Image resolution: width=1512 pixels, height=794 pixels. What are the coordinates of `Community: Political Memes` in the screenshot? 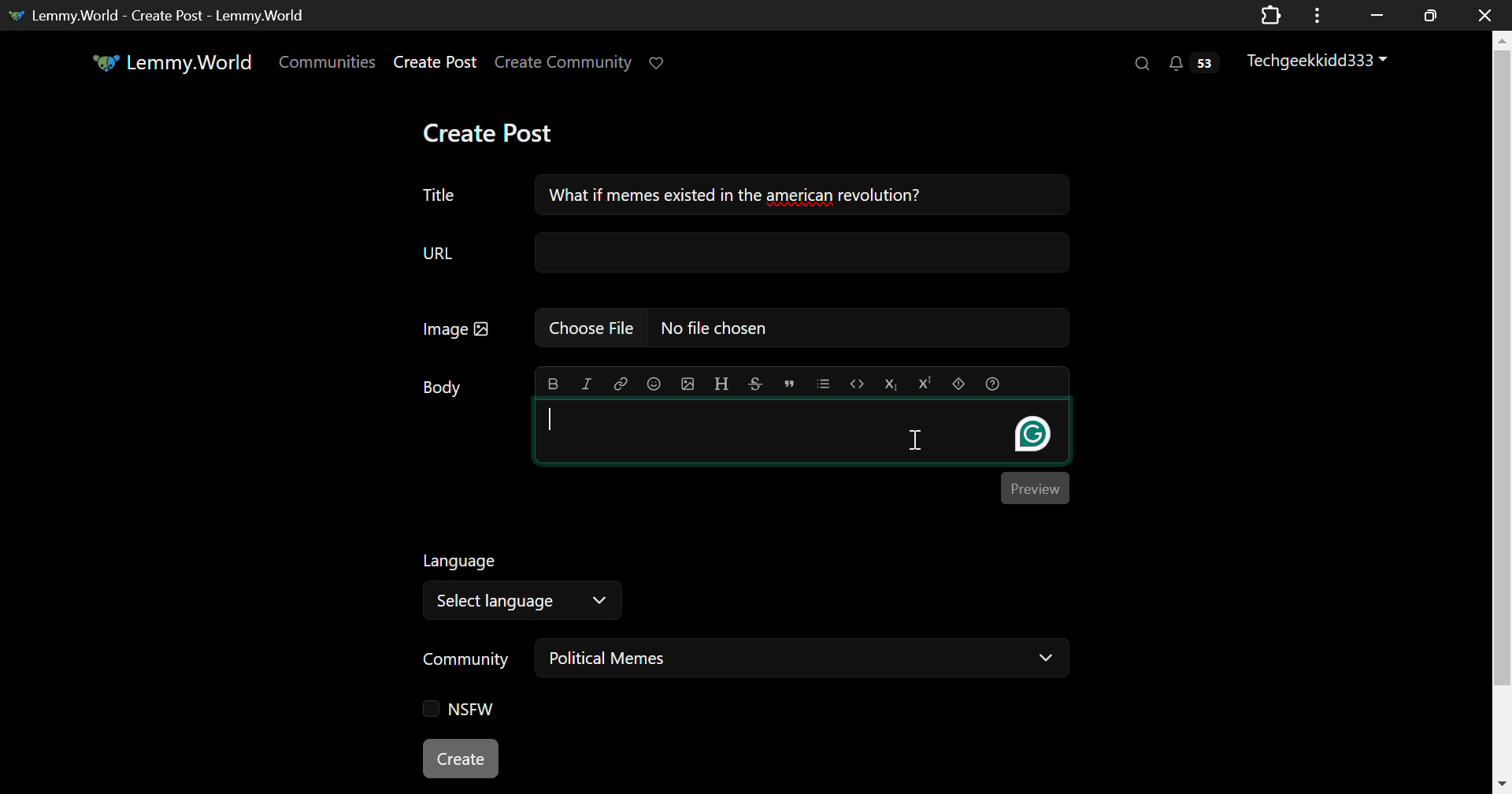 It's located at (747, 661).